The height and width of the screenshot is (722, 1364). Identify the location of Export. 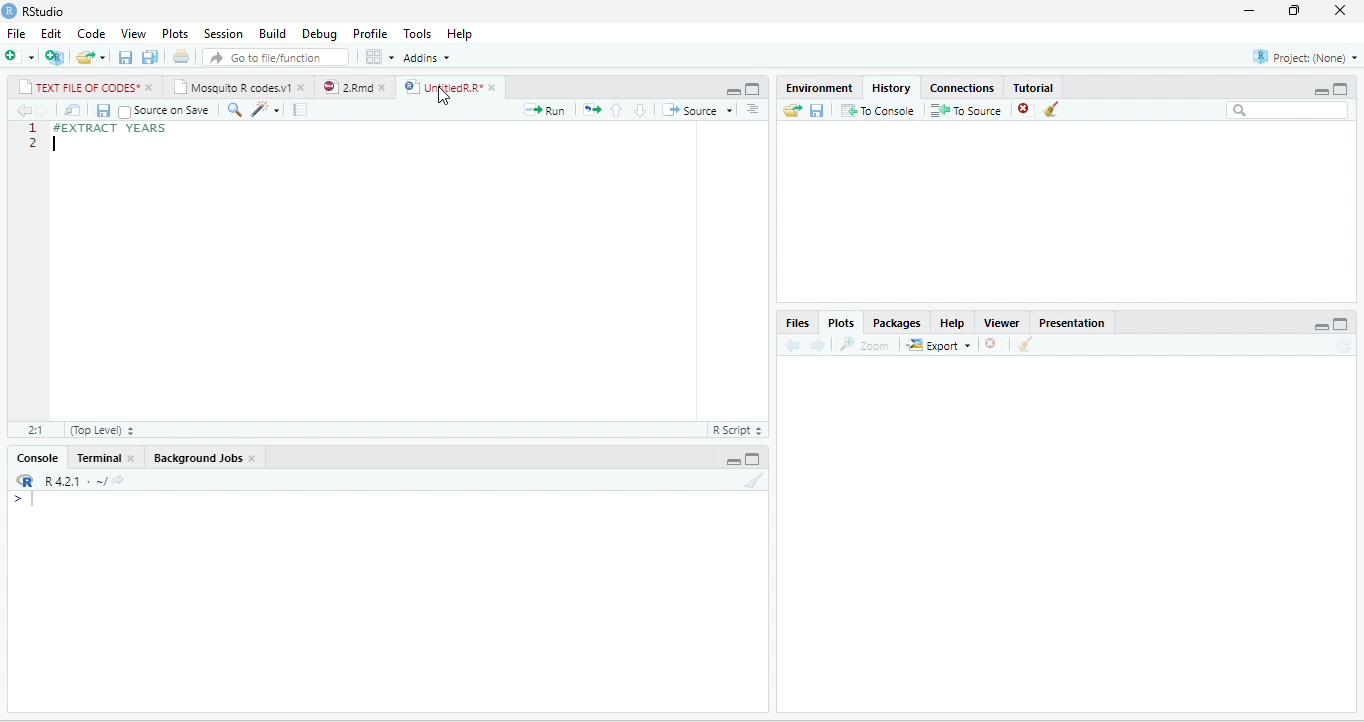
(940, 344).